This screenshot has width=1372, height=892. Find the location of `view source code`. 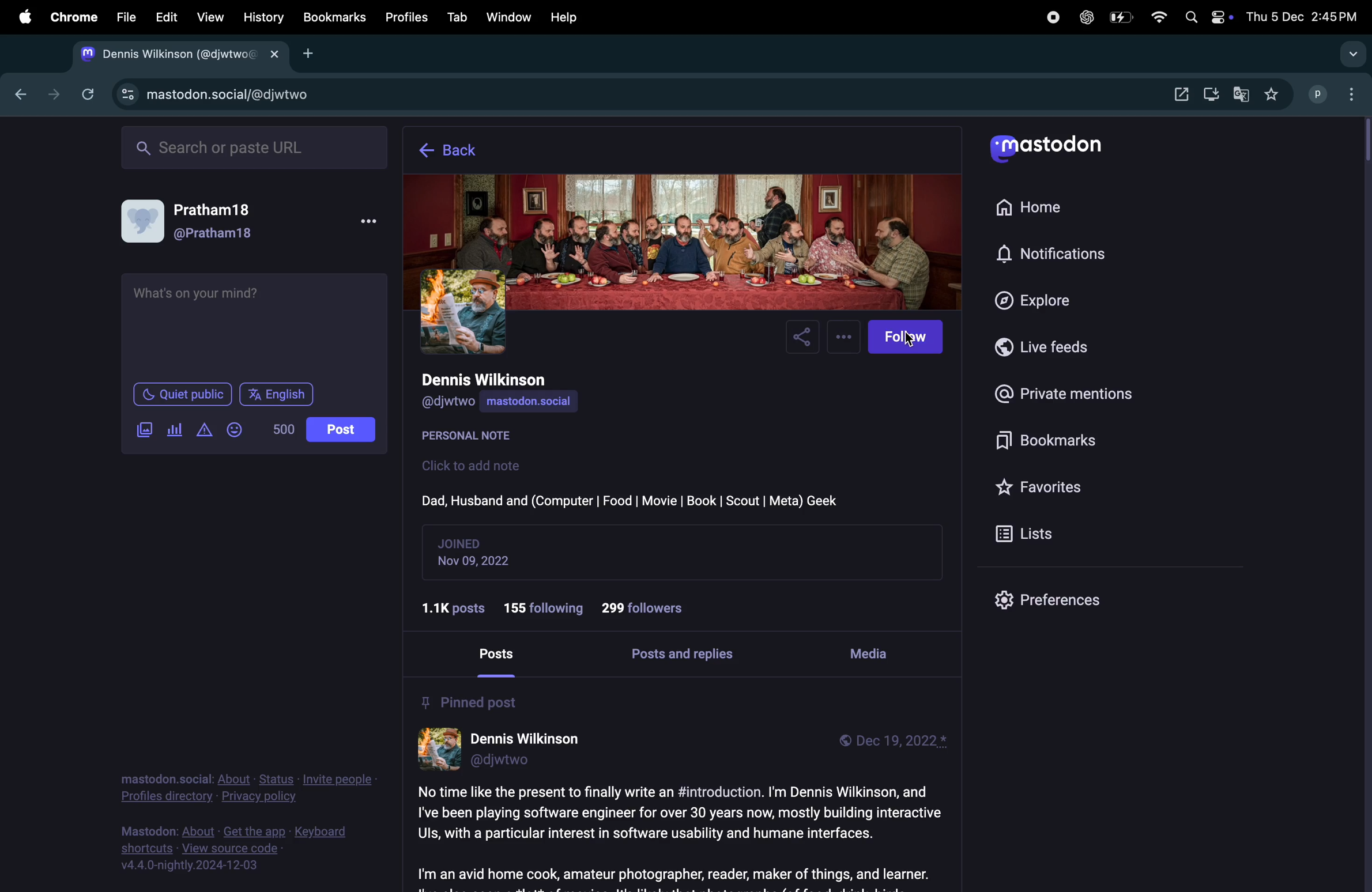

view source code is located at coordinates (223, 849).